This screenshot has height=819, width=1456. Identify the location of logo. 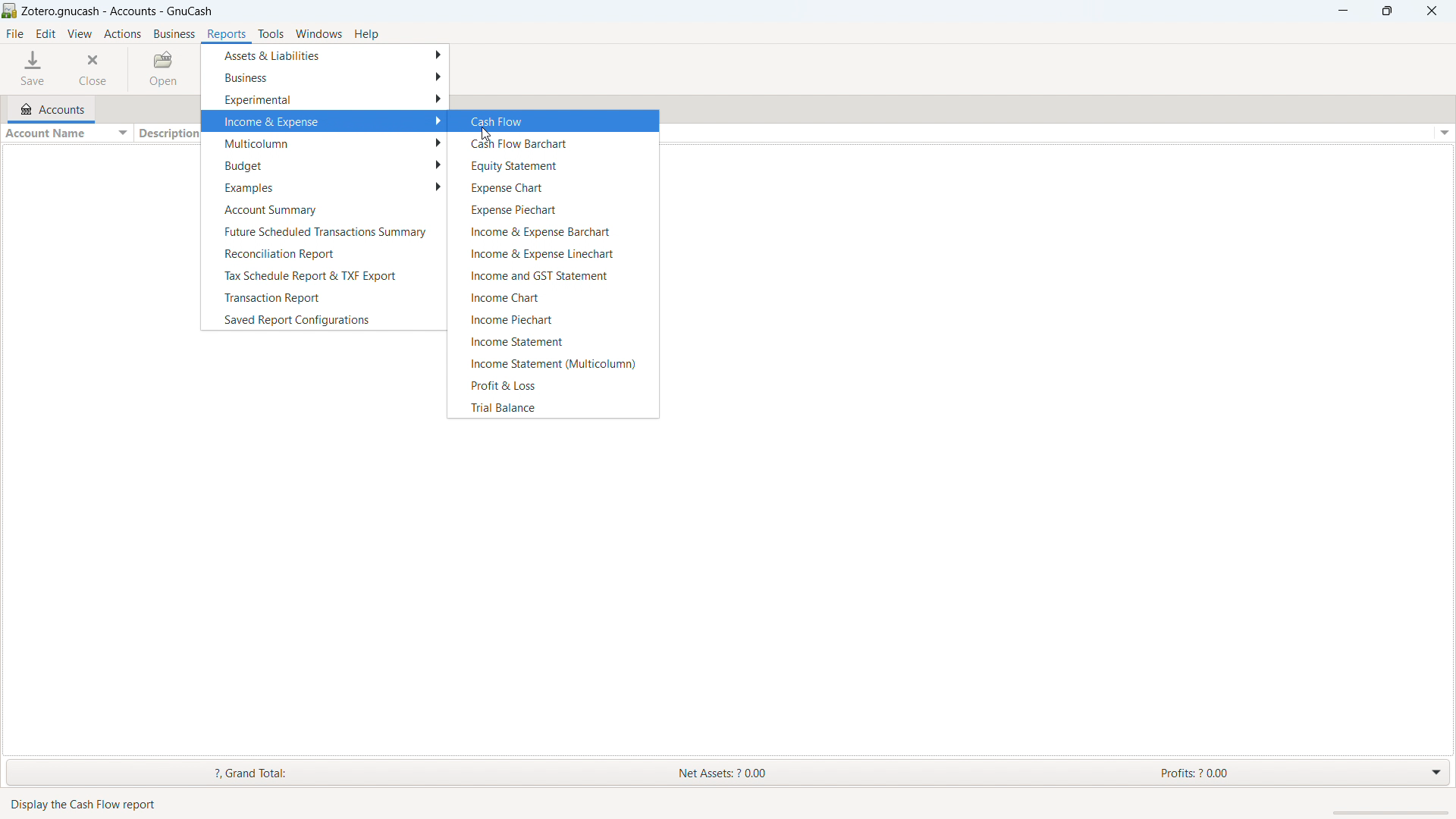
(10, 11).